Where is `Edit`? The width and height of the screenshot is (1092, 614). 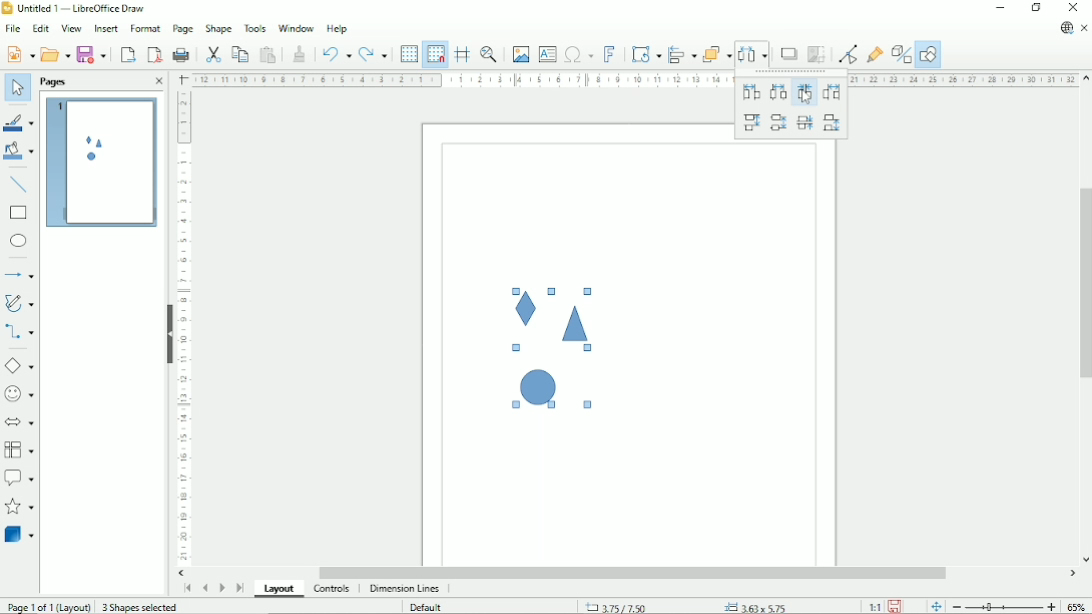
Edit is located at coordinates (40, 27).